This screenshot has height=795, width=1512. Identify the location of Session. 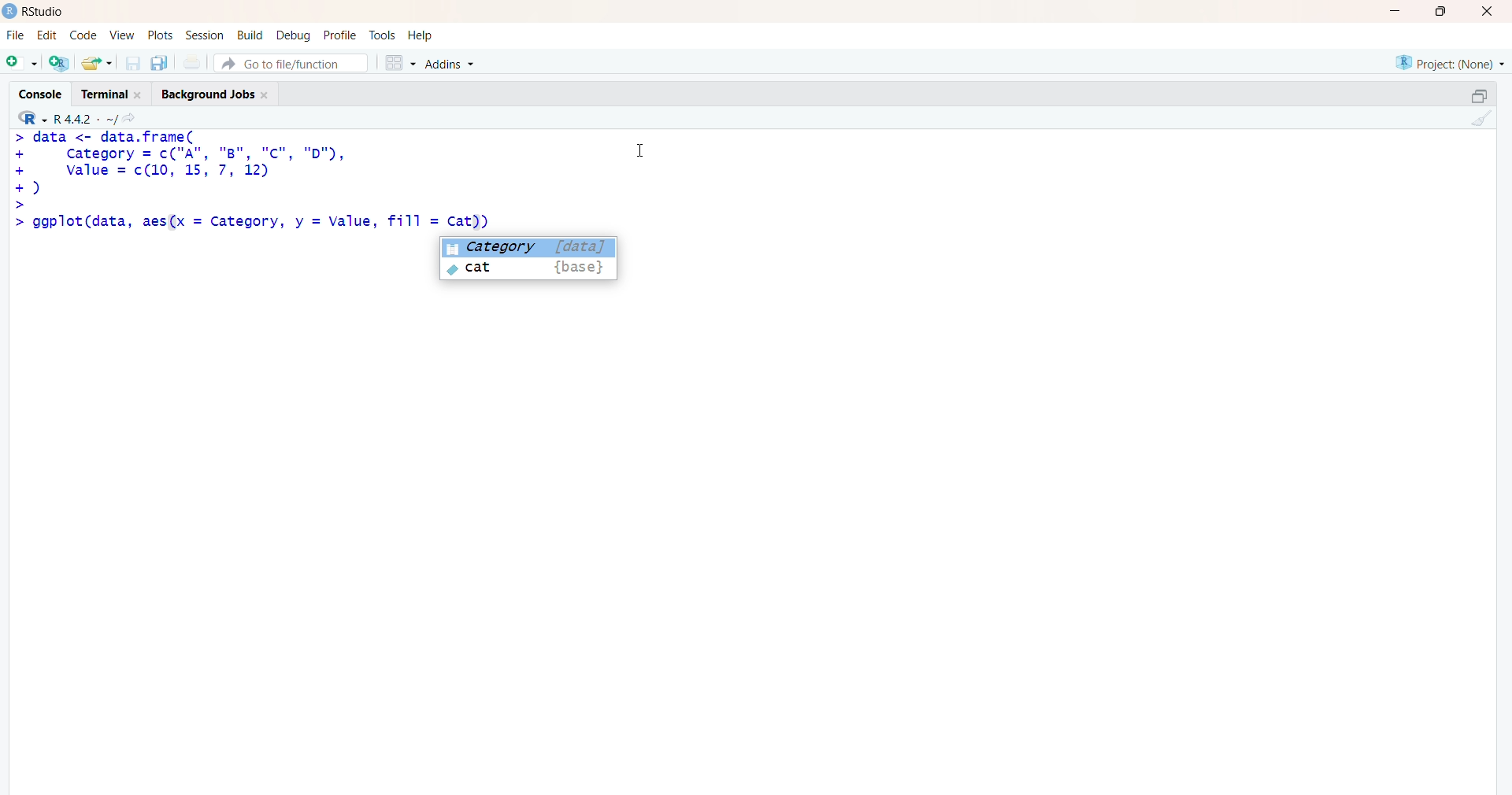
(205, 35).